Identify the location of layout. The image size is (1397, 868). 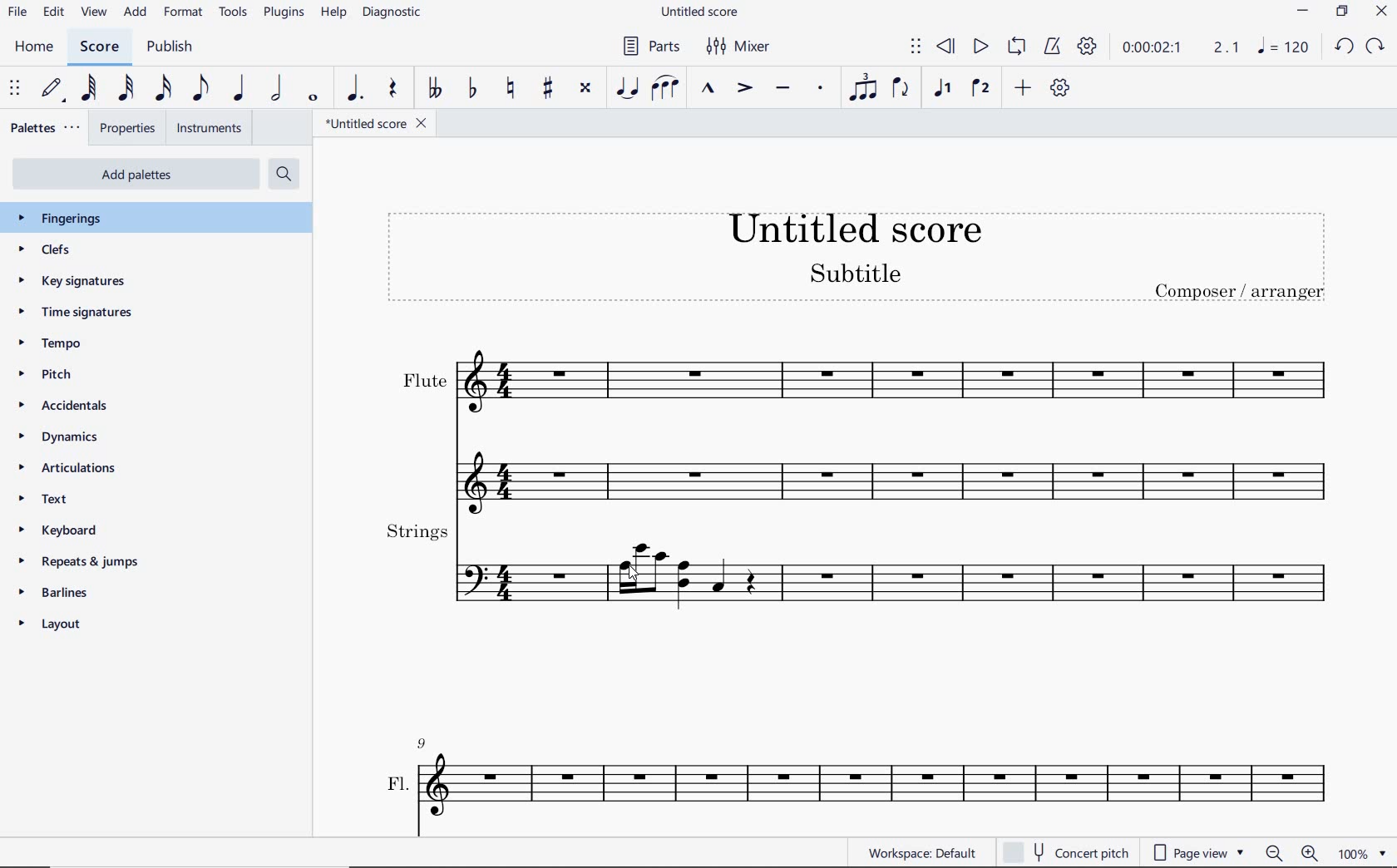
(81, 625).